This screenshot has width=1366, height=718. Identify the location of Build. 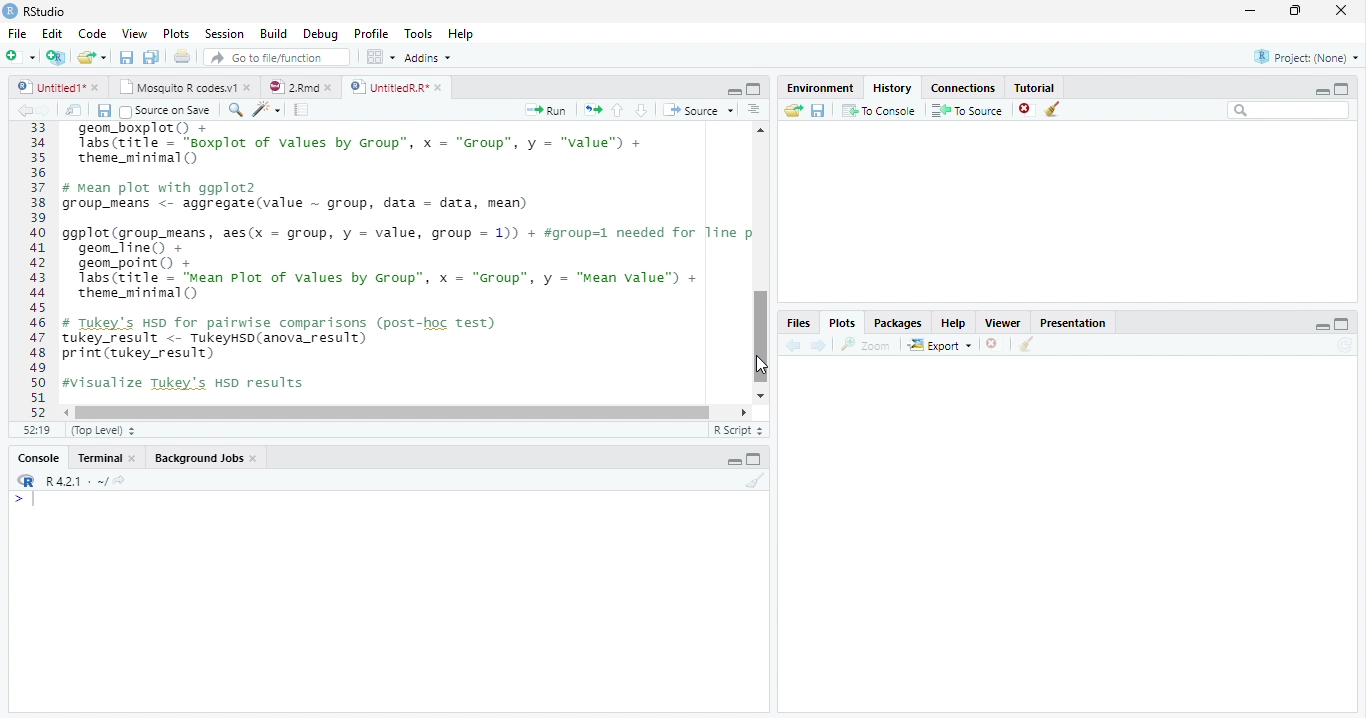
(277, 34).